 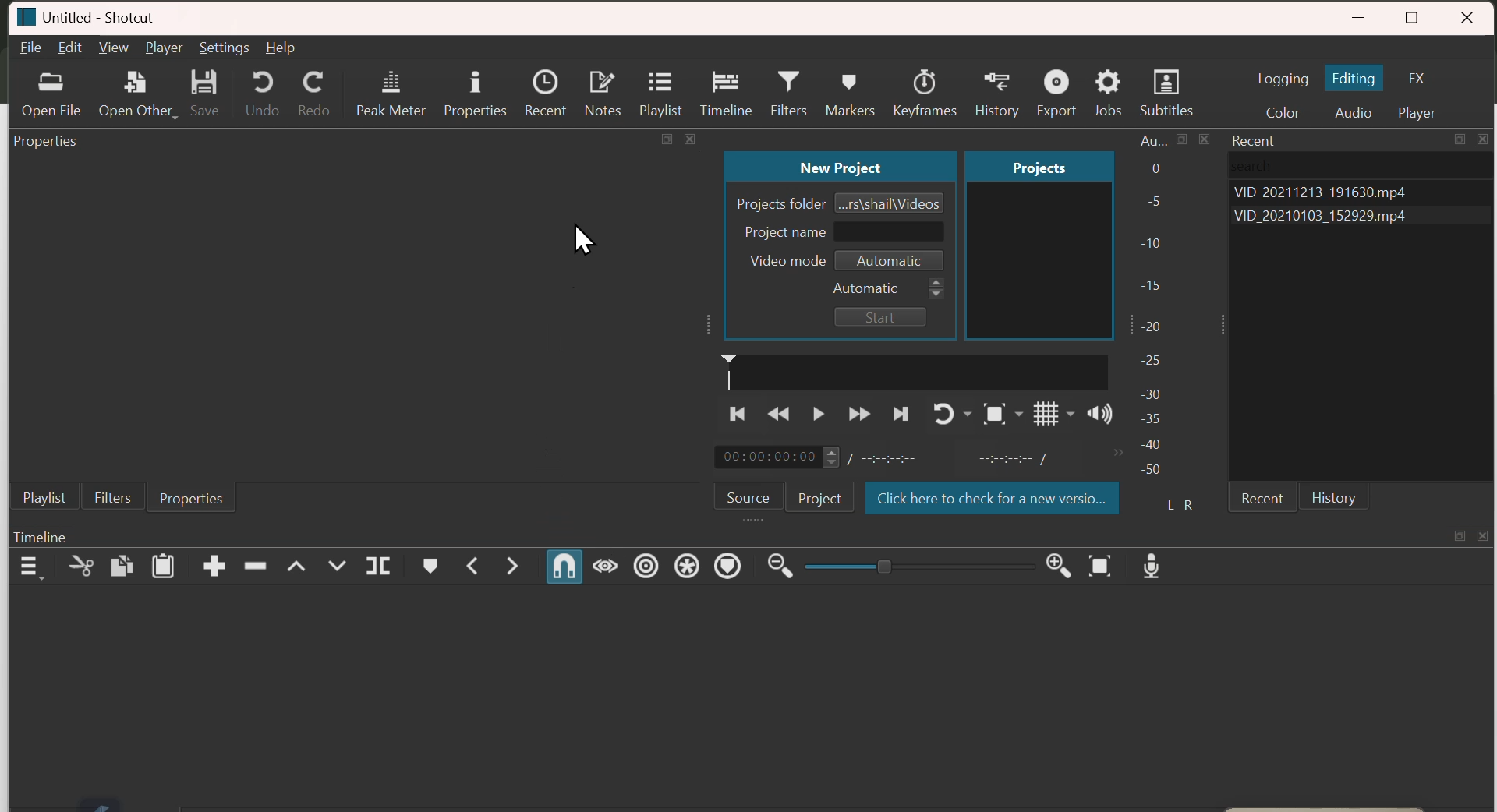 I want to click on F X, so click(x=1421, y=76).